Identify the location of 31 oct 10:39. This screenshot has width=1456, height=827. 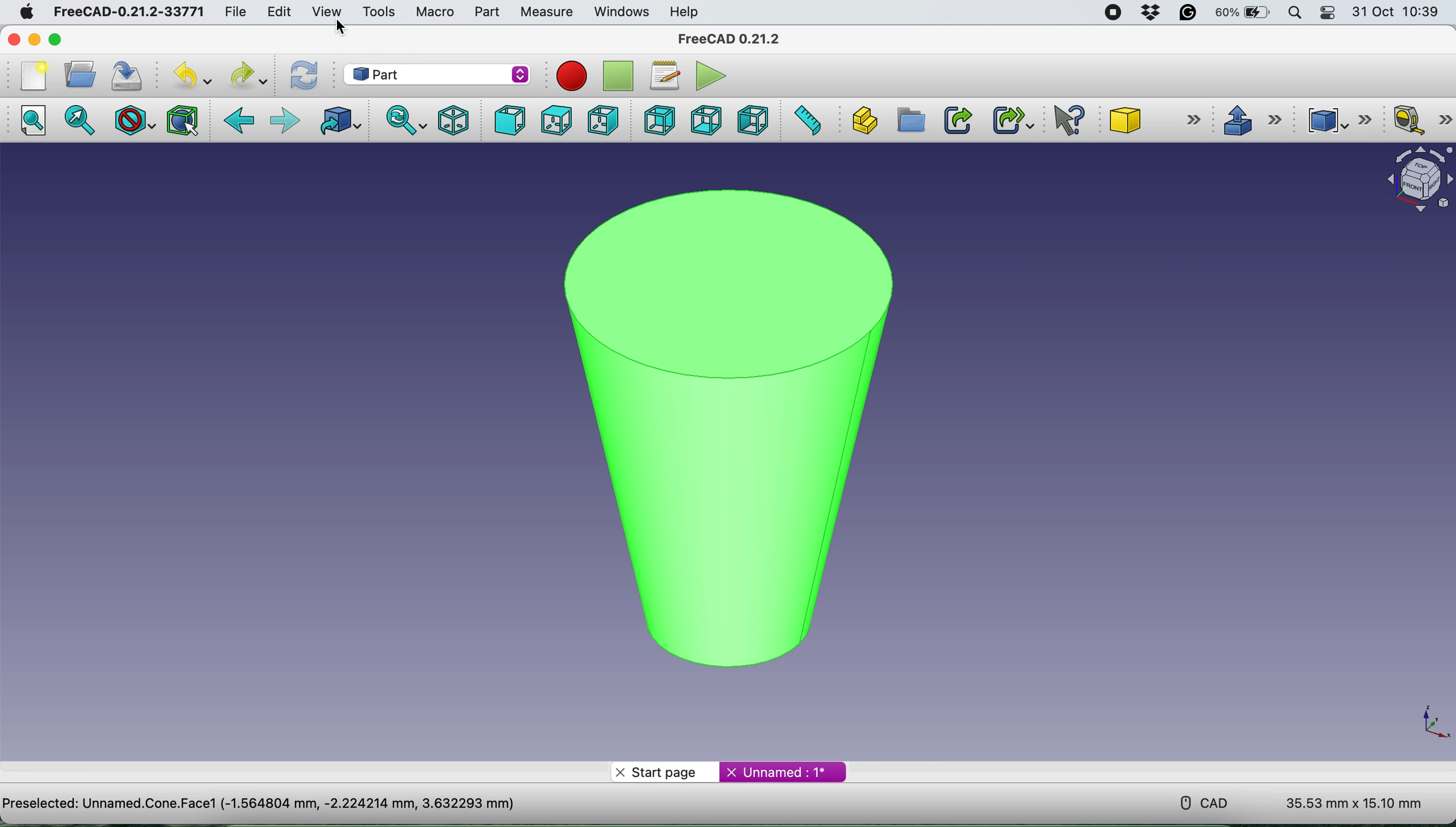
(1401, 12).